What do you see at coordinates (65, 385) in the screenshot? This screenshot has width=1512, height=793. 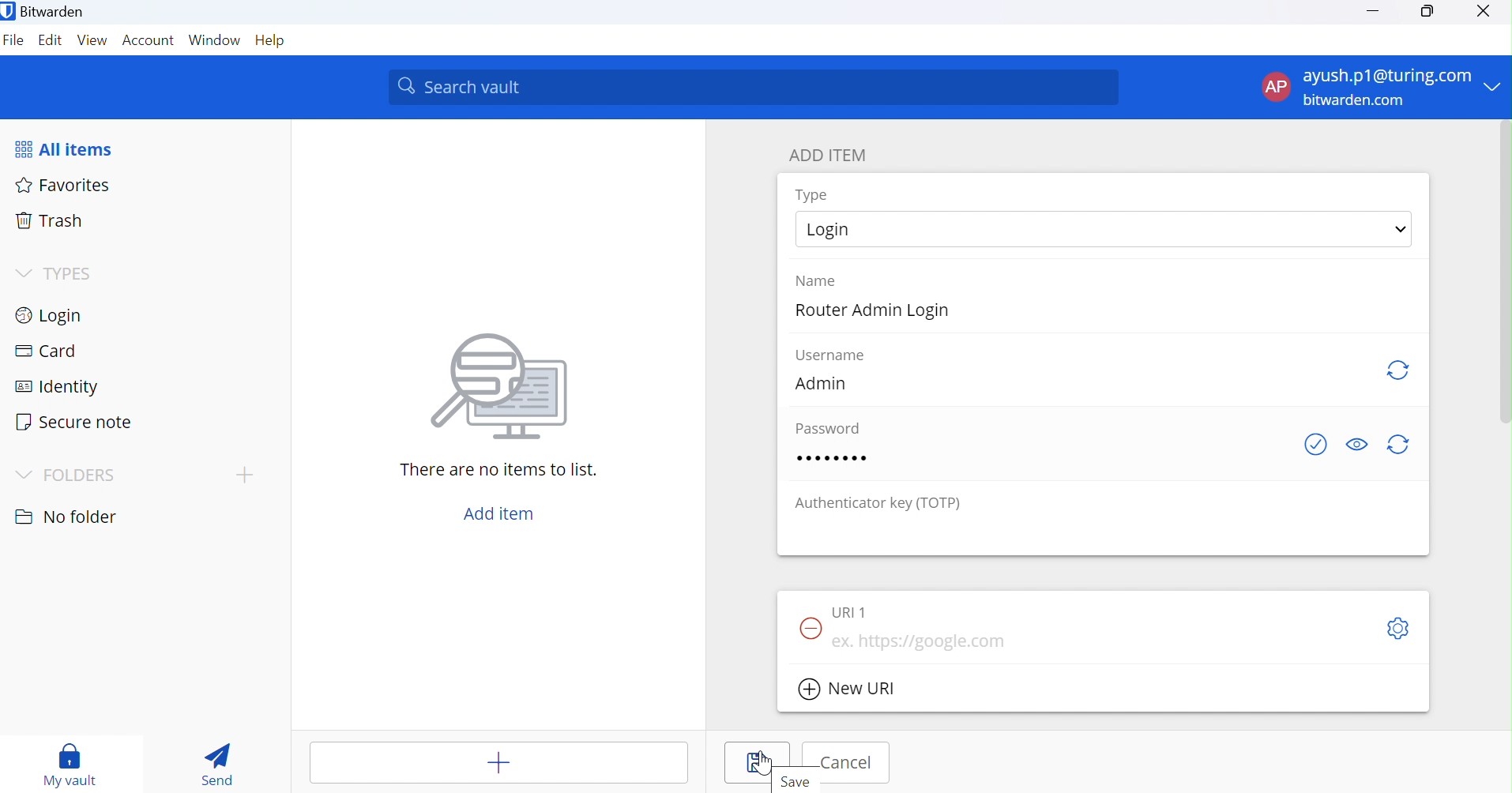 I see `Identity` at bounding box center [65, 385].